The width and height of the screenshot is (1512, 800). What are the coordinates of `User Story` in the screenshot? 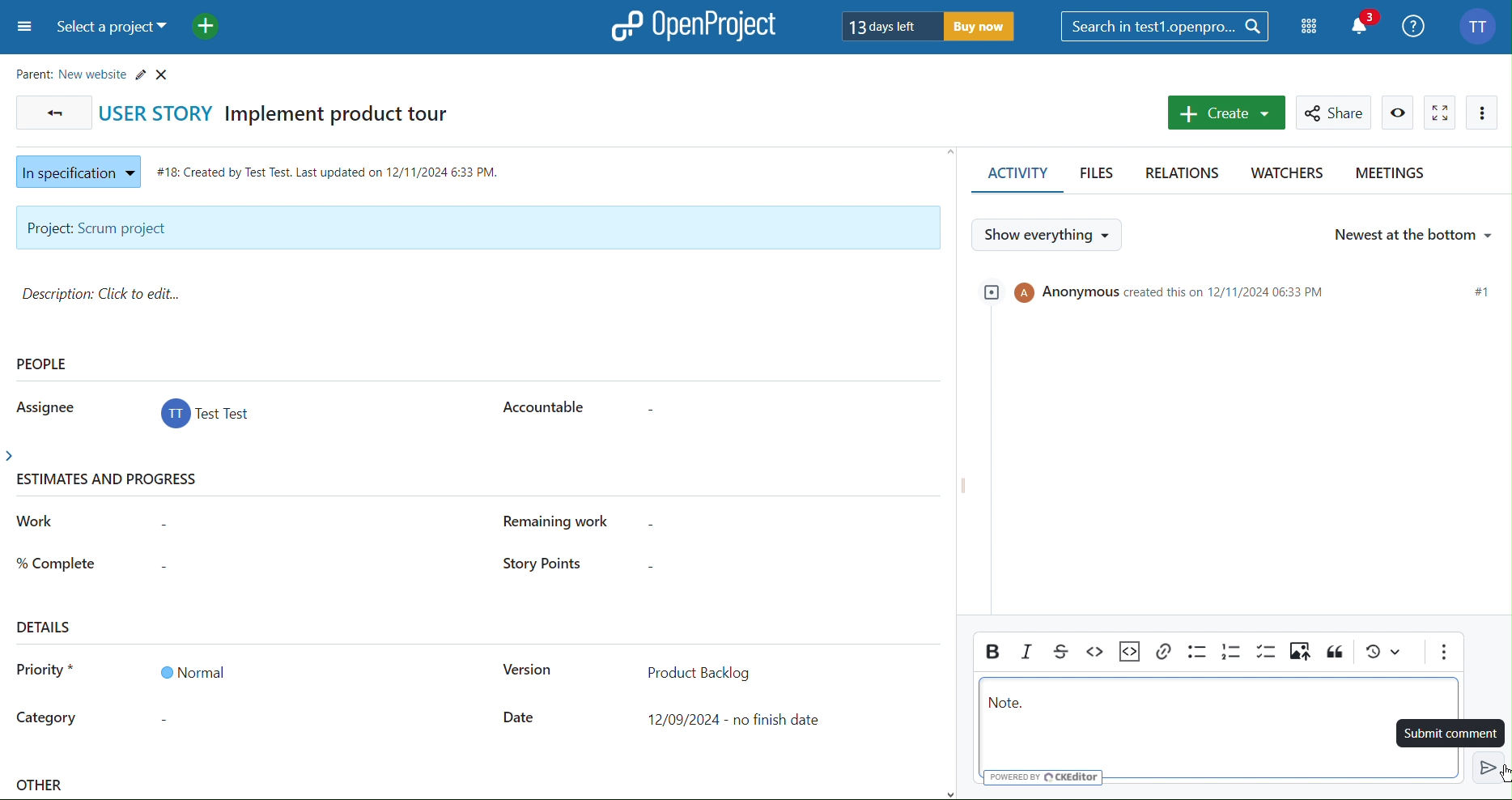 It's located at (284, 112).